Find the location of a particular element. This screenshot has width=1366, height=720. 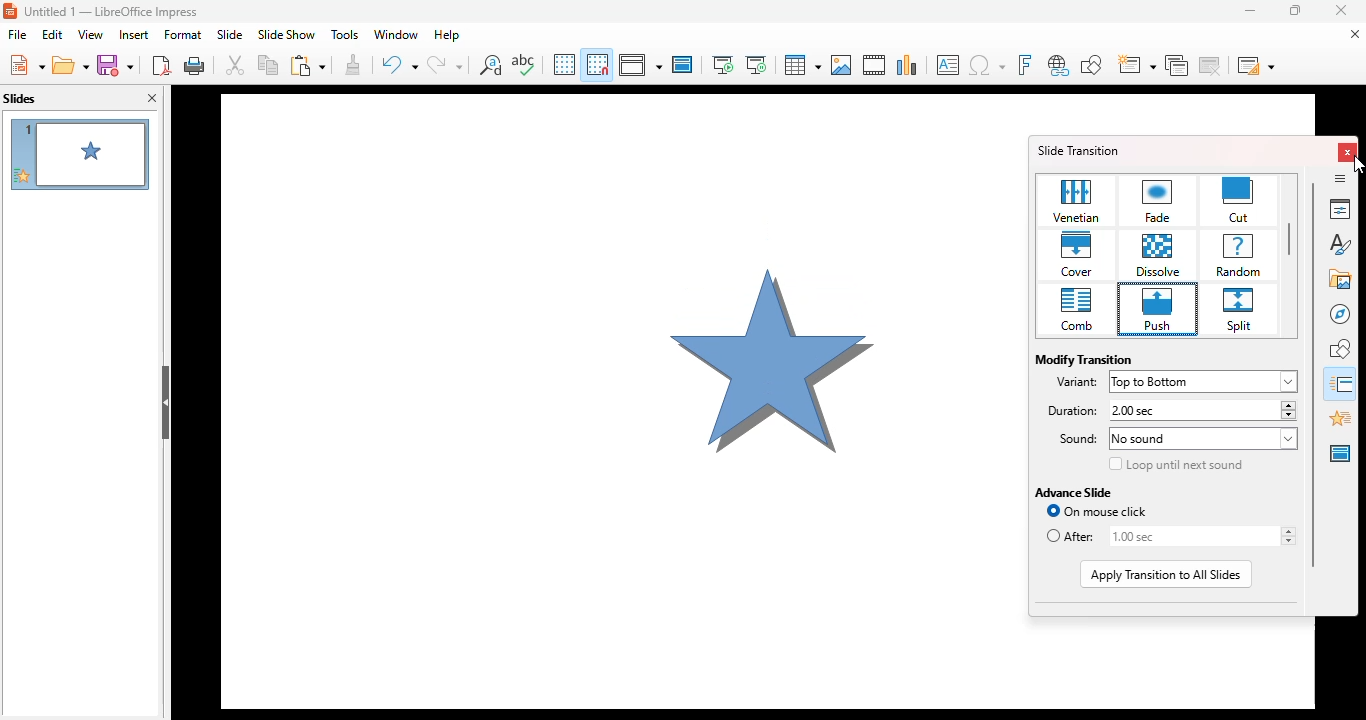

paste is located at coordinates (307, 65).